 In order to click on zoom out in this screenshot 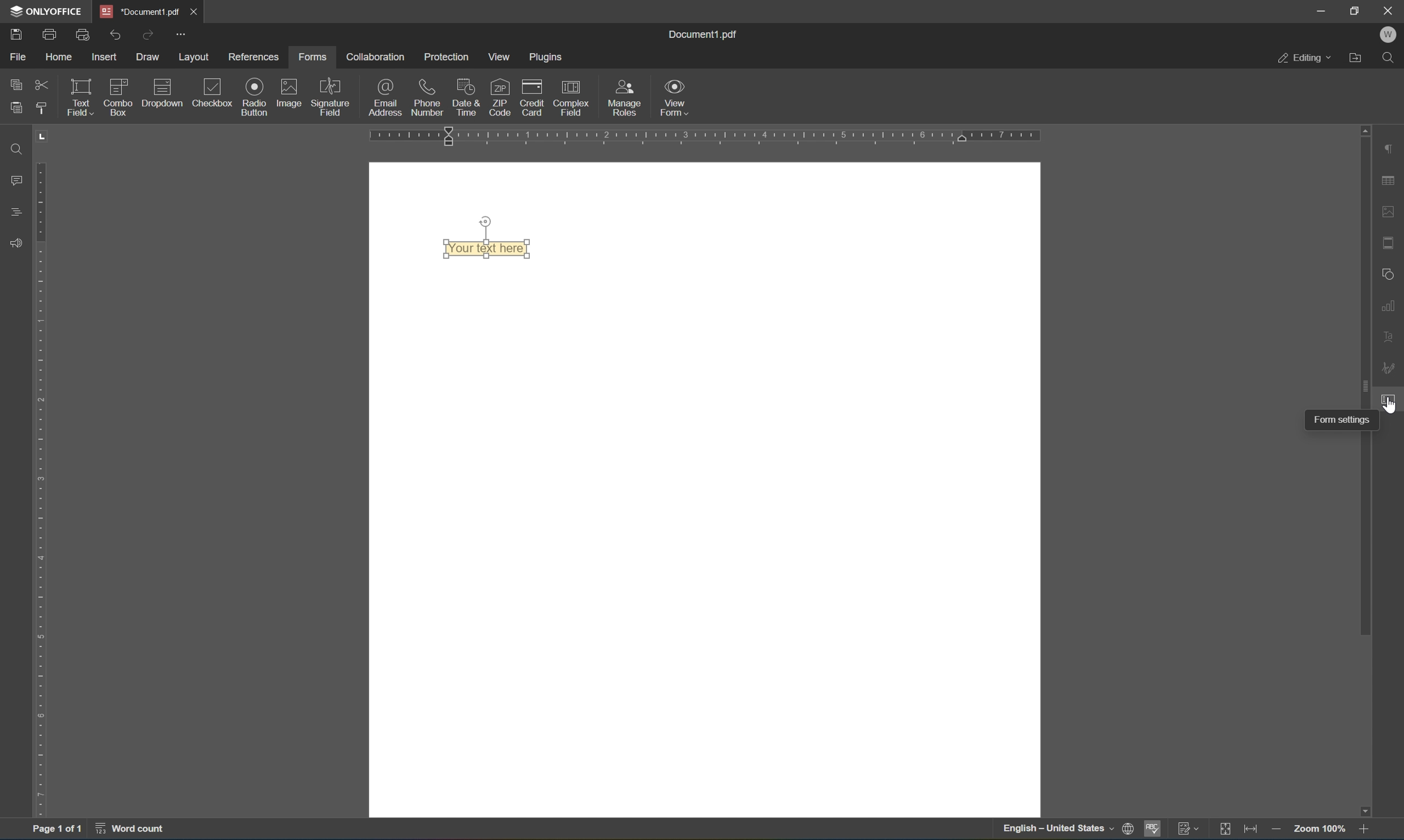, I will do `click(1277, 832)`.